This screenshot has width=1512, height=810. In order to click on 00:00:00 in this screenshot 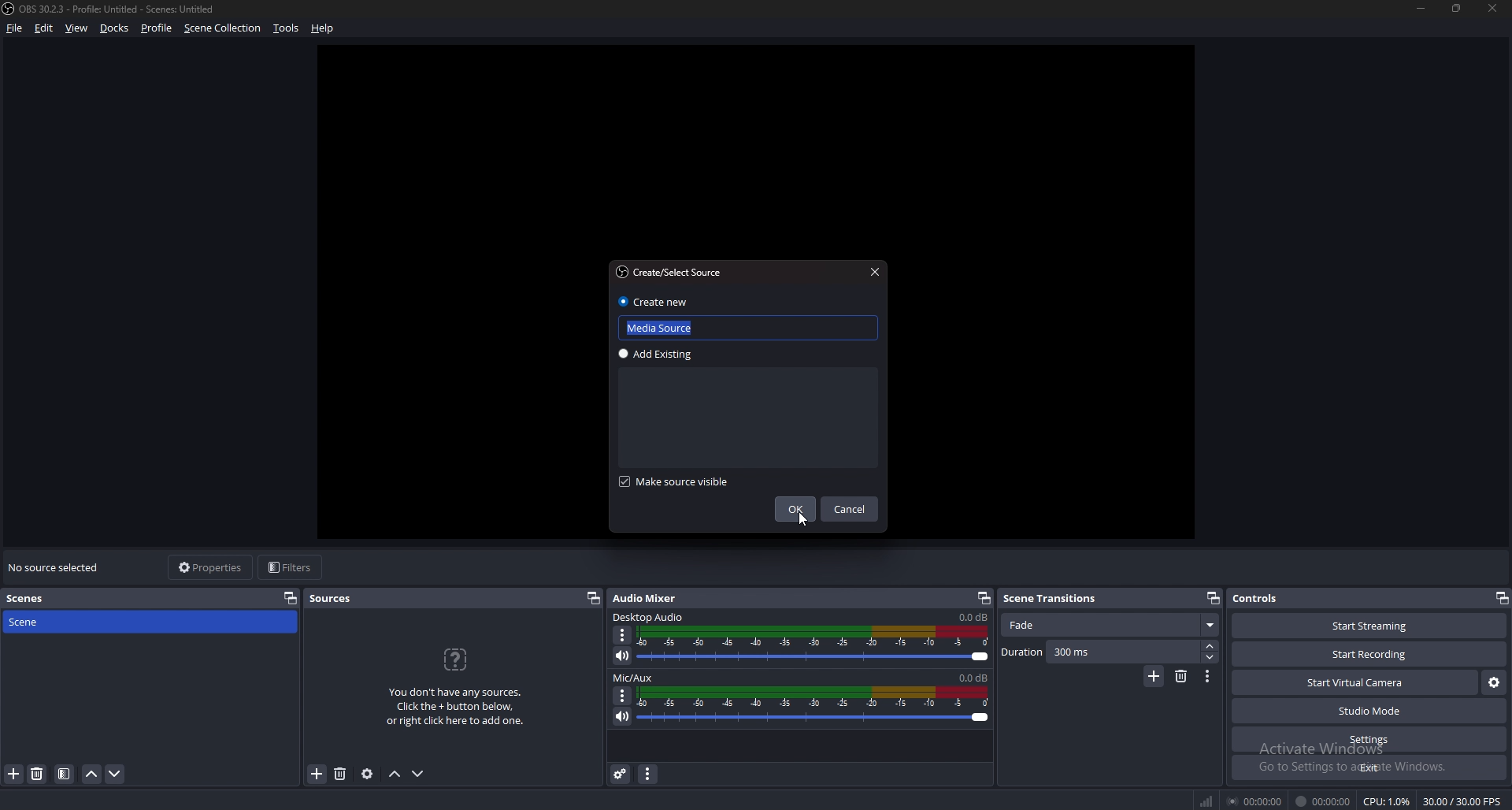, I will do `click(1257, 801)`.